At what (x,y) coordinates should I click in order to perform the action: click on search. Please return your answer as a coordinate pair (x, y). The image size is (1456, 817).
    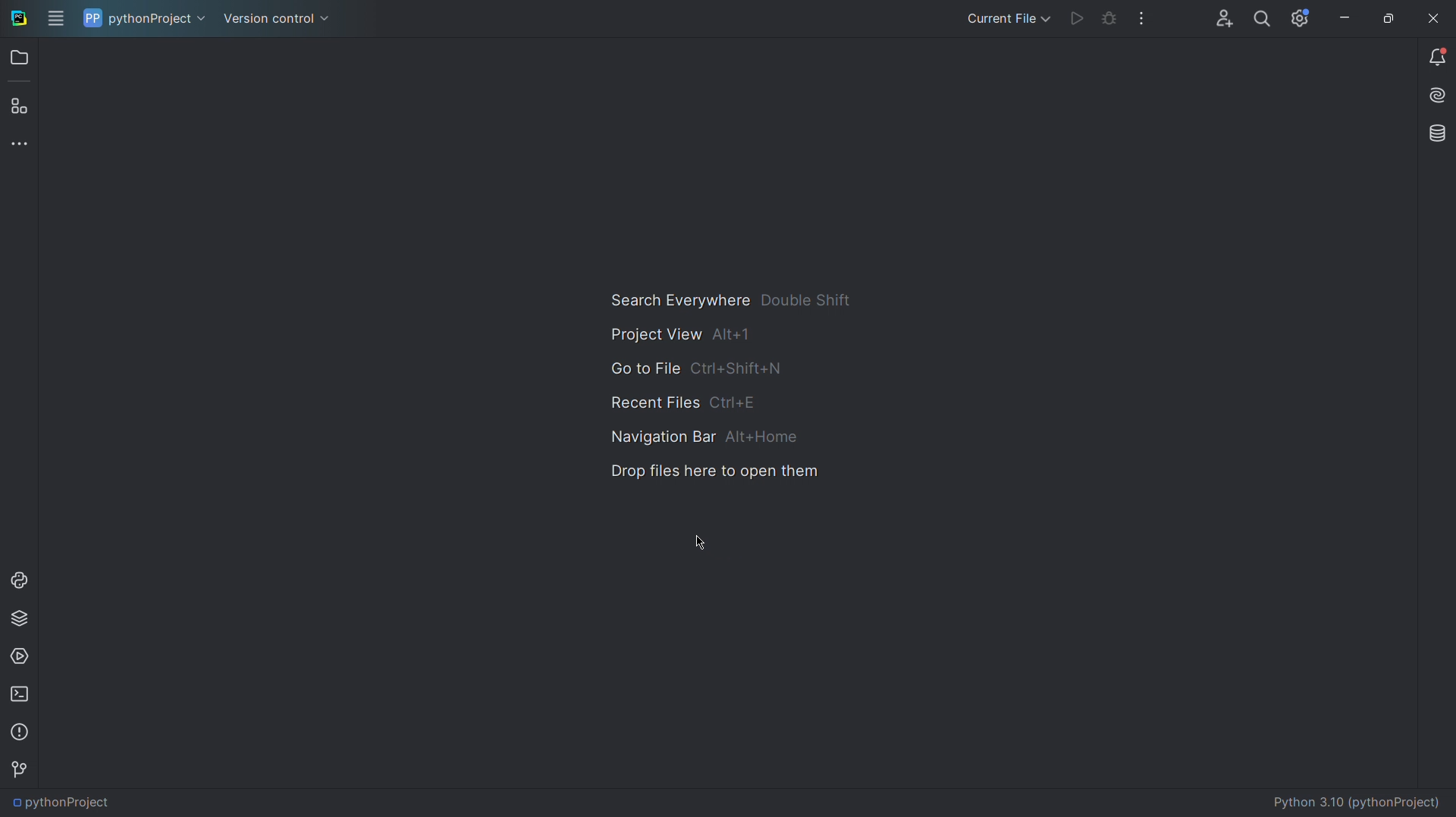
    Looking at the image, I should click on (1261, 20).